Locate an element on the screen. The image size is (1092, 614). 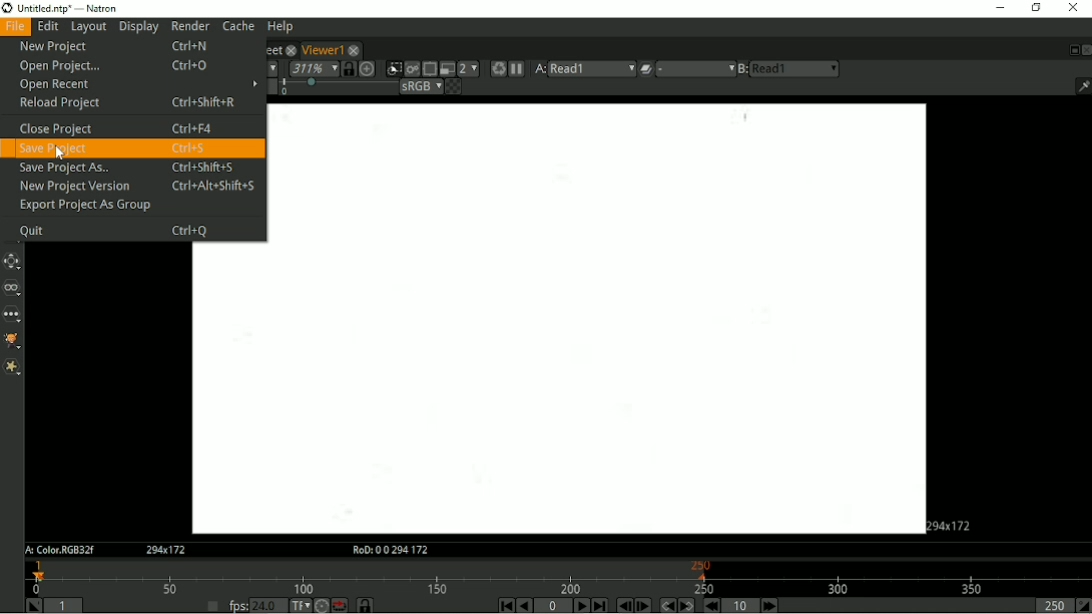
Play backward is located at coordinates (524, 605).